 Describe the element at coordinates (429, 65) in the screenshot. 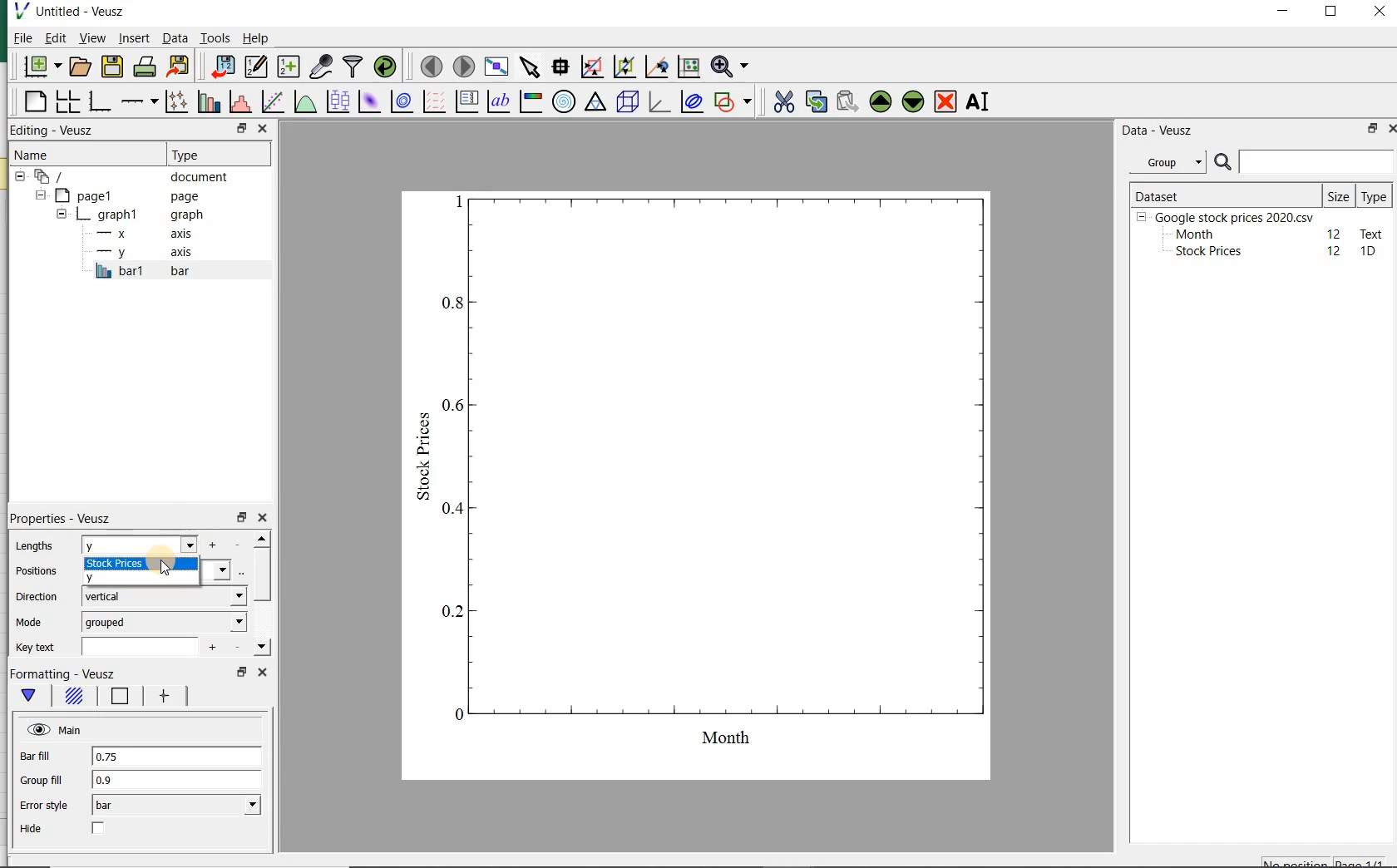

I see `move to the previous page` at that location.